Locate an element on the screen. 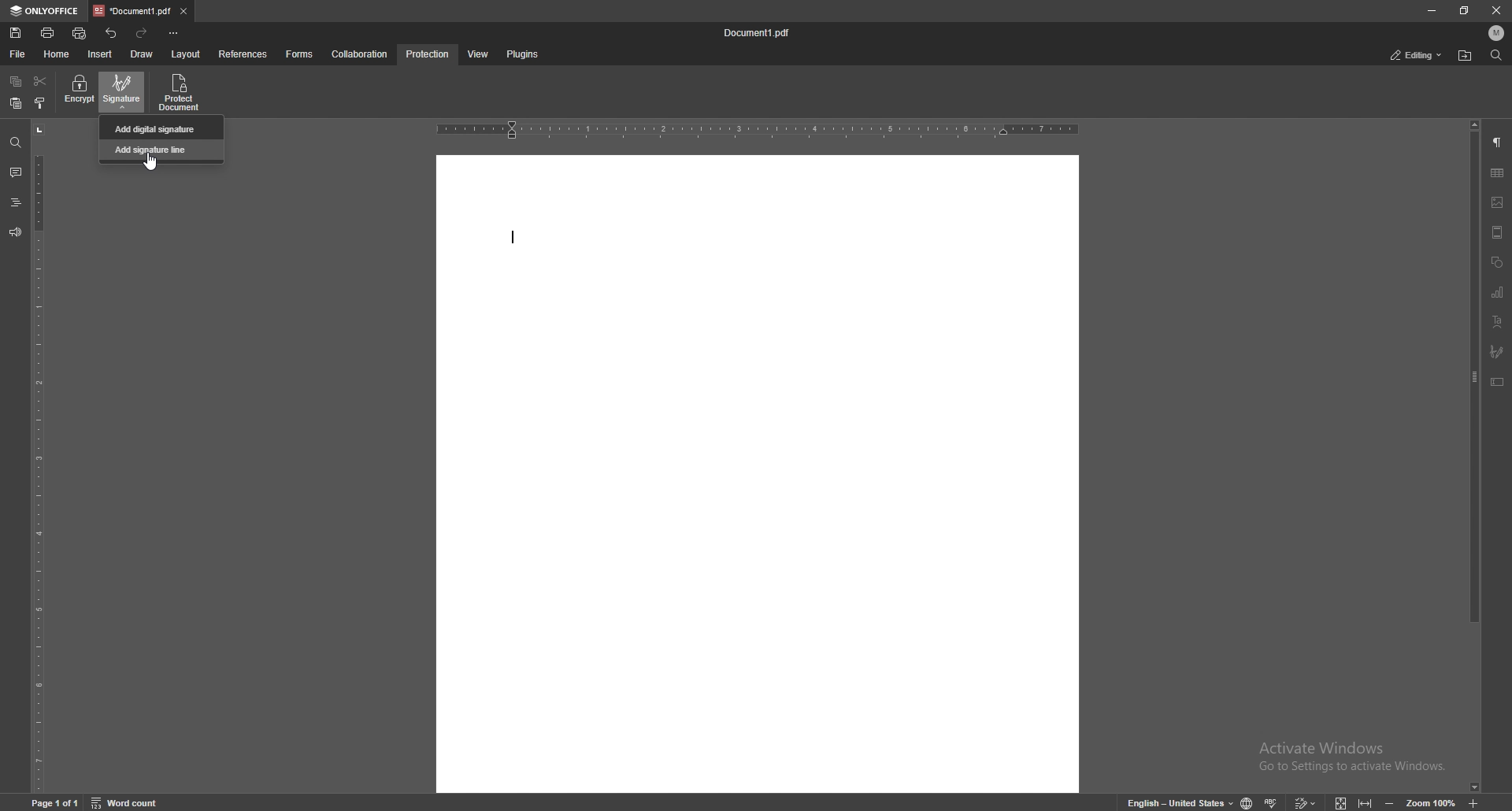  signature is located at coordinates (124, 91).